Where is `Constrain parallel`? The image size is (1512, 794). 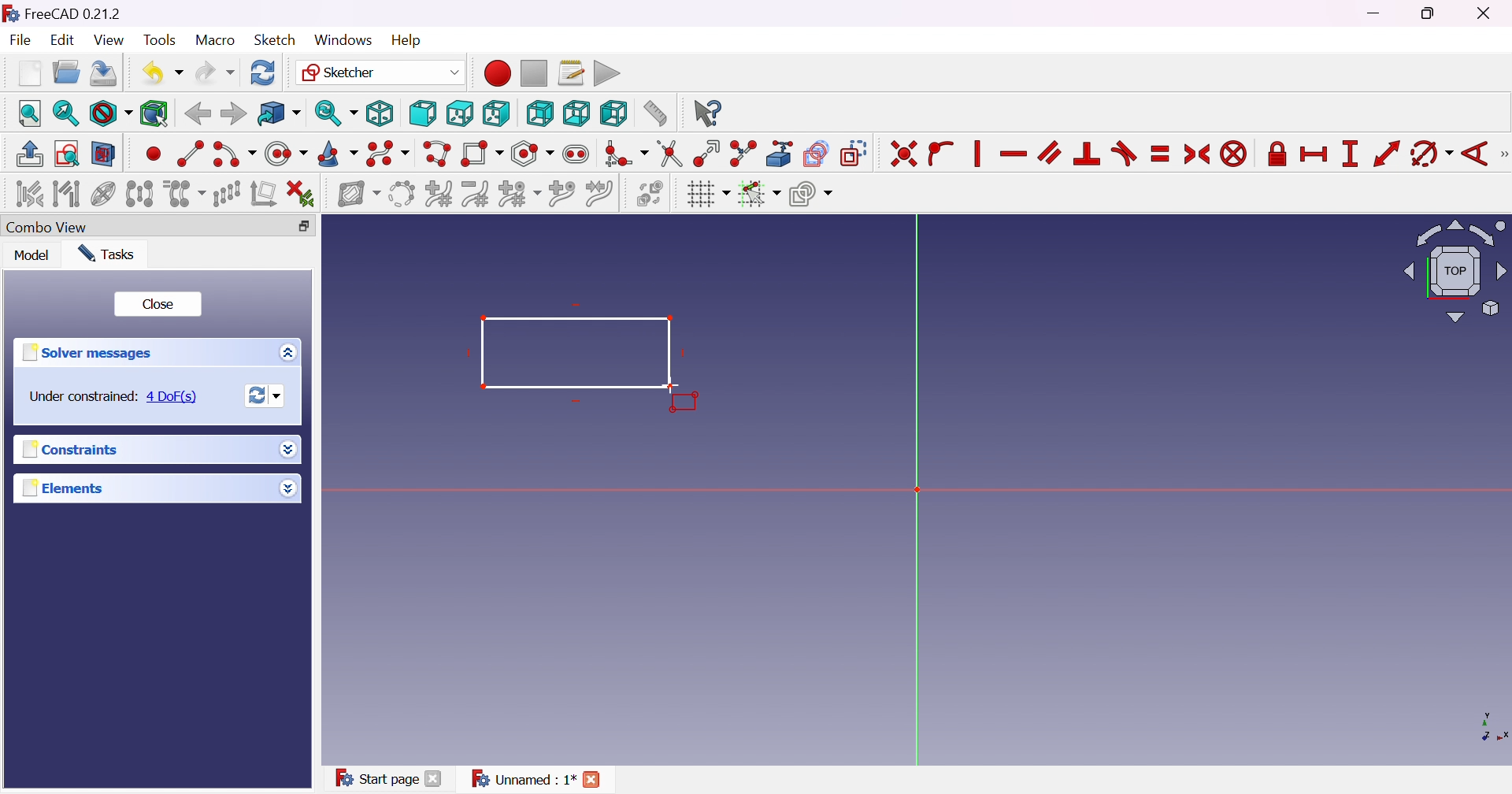 Constrain parallel is located at coordinates (1051, 153).